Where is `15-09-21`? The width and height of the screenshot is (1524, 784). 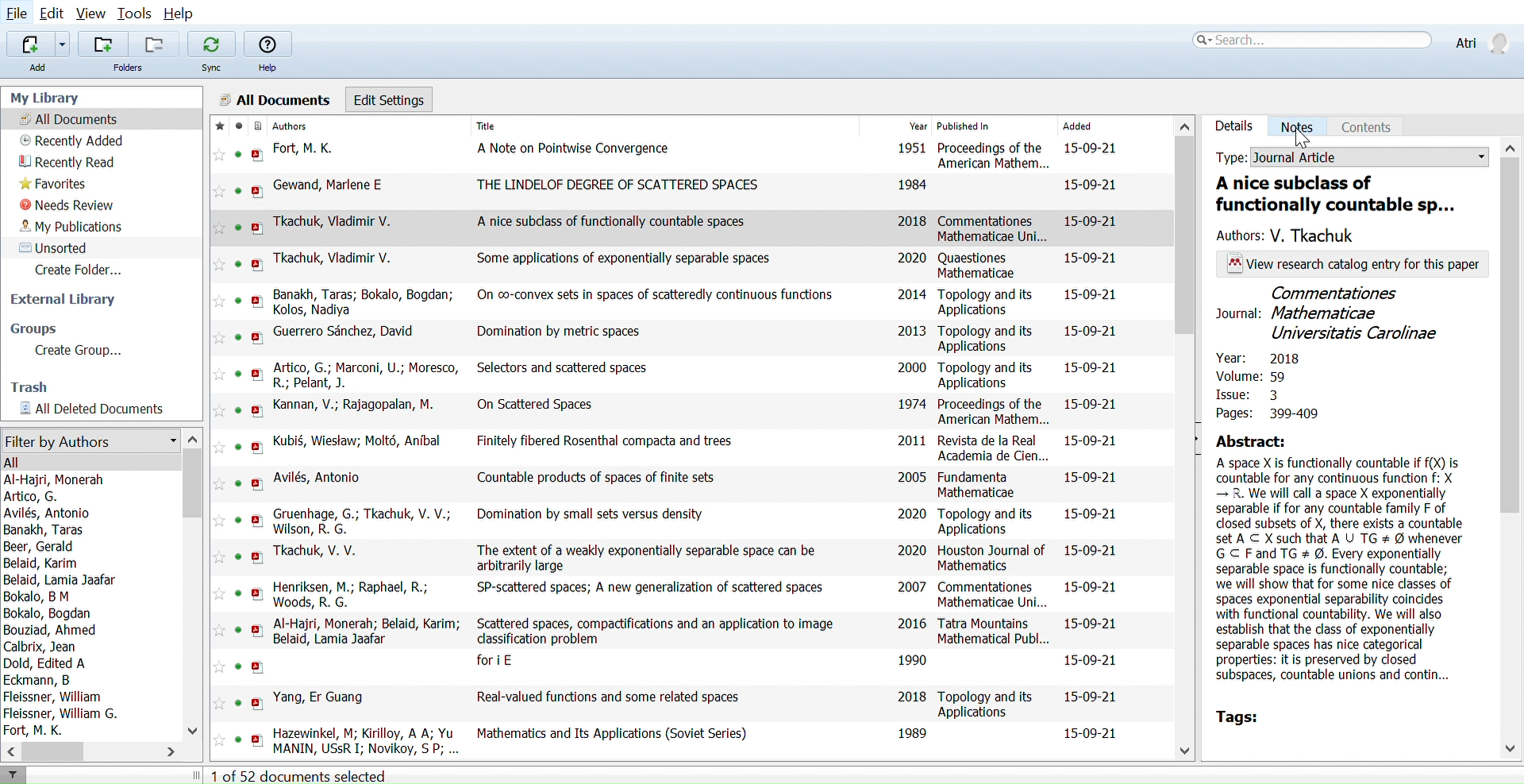
15-09-21 is located at coordinates (1091, 660).